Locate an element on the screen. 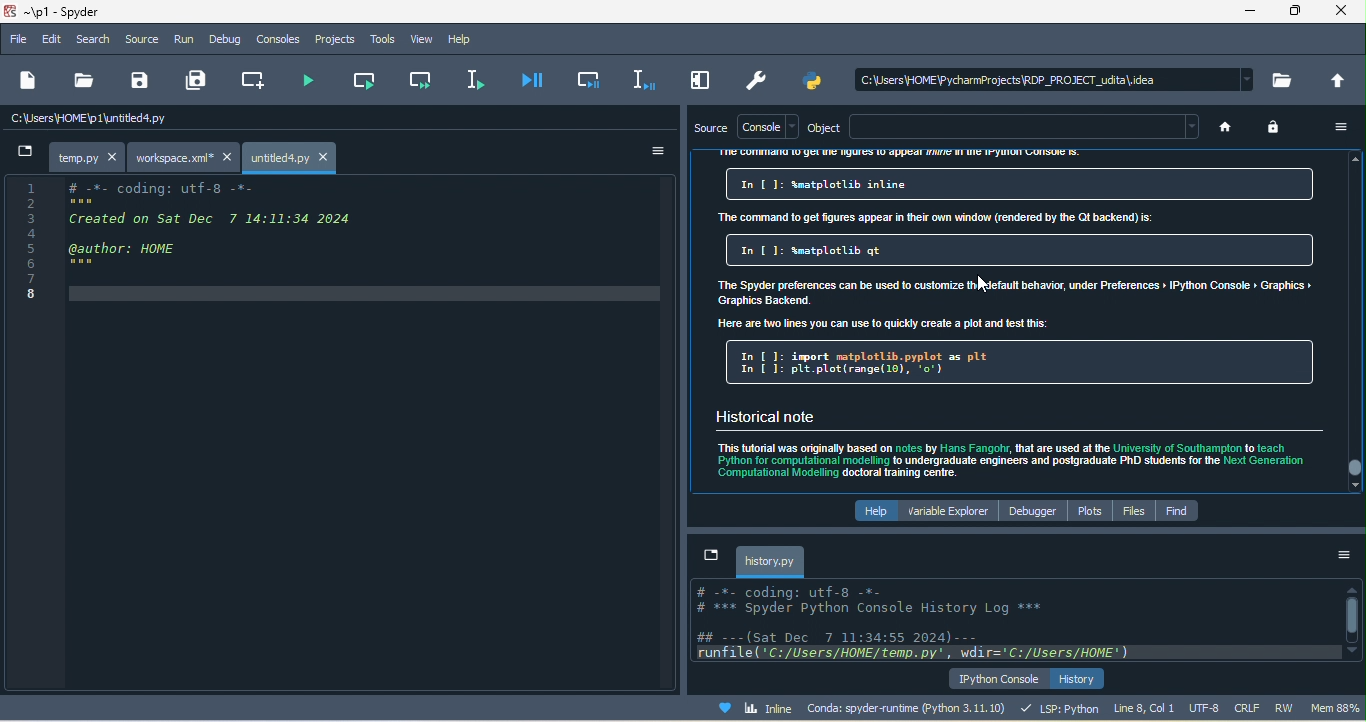  conda spyder runtime is located at coordinates (911, 710).